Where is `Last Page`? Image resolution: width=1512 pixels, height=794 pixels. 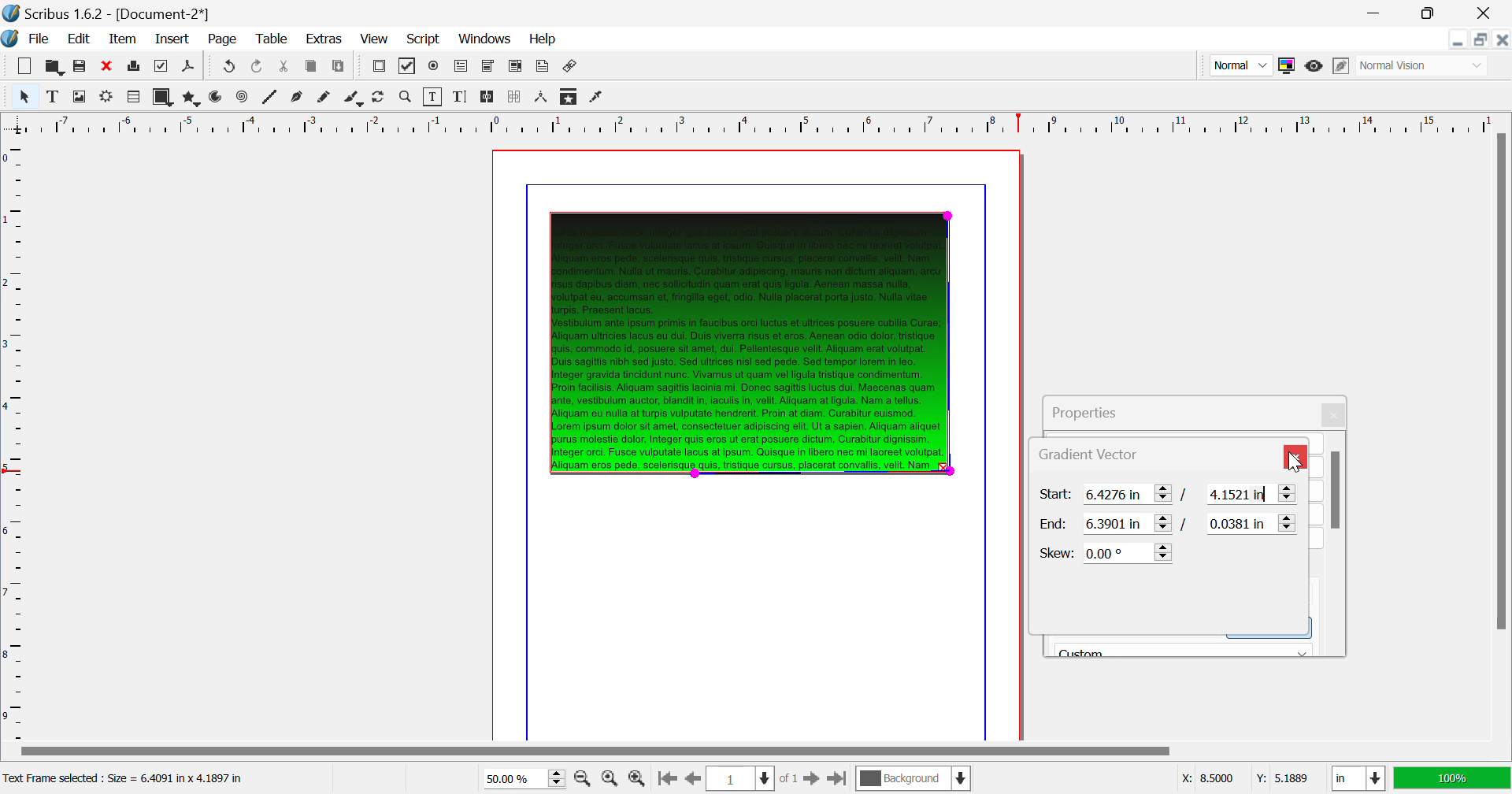 Last Page is located at coordinates (836, 779).